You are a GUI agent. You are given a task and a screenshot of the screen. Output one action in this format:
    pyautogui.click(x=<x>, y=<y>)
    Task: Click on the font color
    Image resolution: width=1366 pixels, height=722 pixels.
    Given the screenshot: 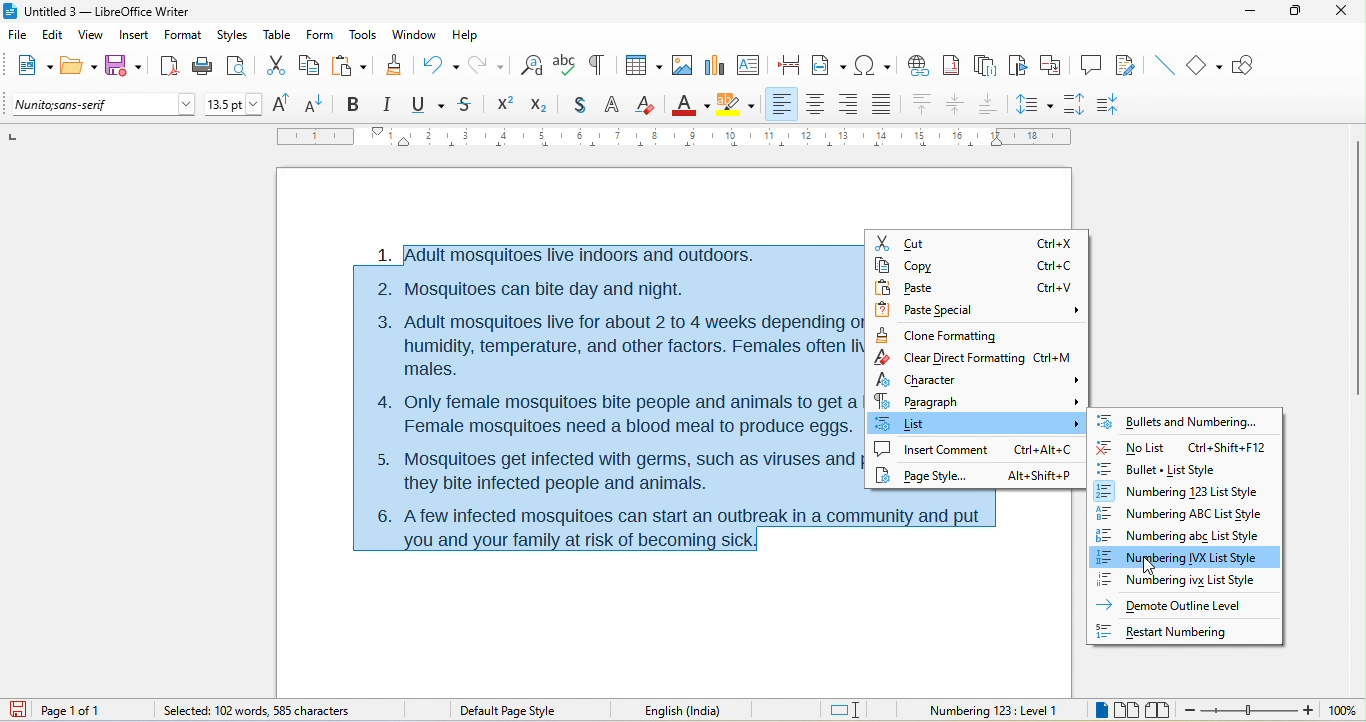 What is the action you would take?
    pyautogui.click(x=690, y=103)
    